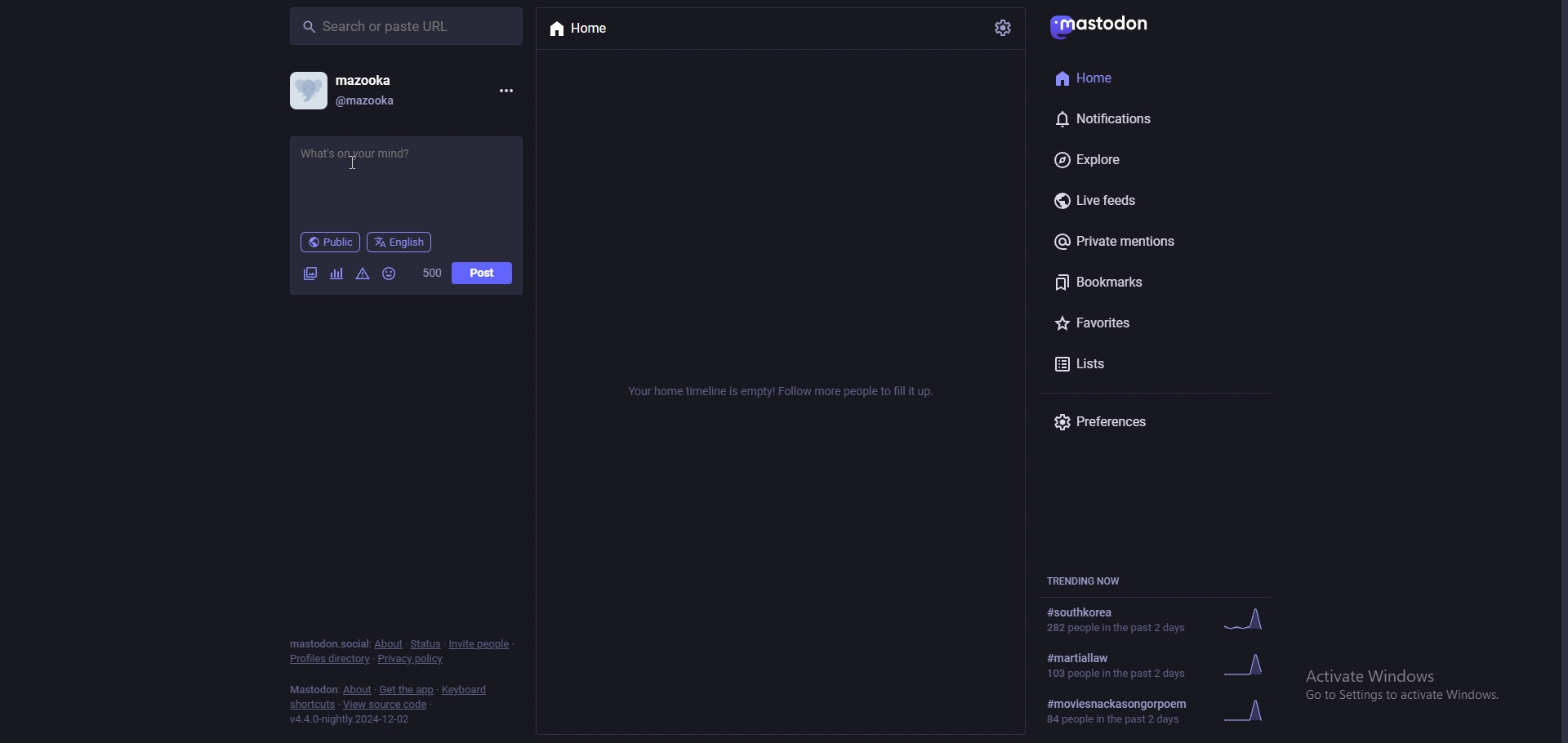  What do you see at coordinates (1158, 665) in the screenshot?
I see `trending` at bounding box center [1158, 665].